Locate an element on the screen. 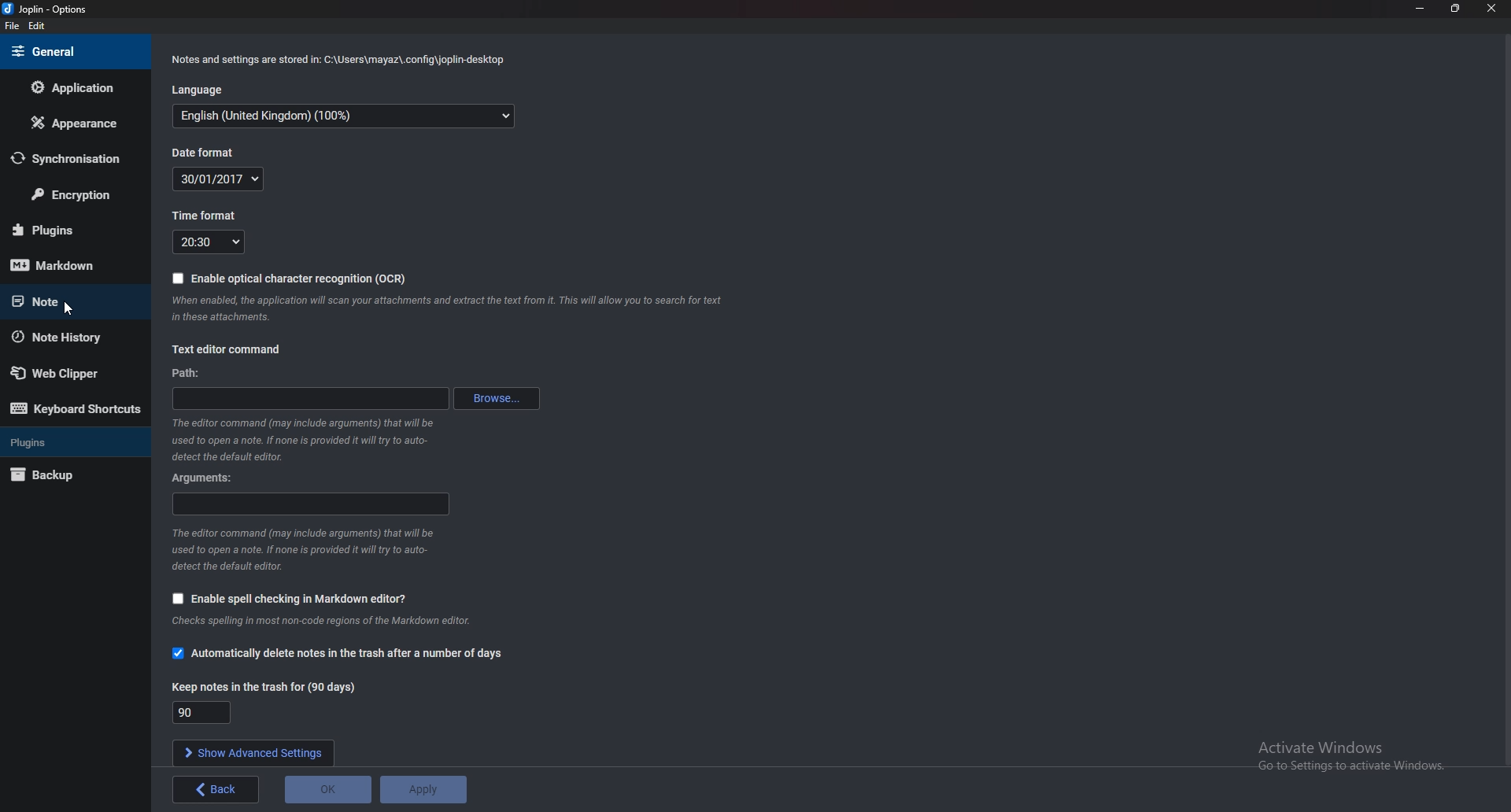  Info is located at coordinates (338, 61).